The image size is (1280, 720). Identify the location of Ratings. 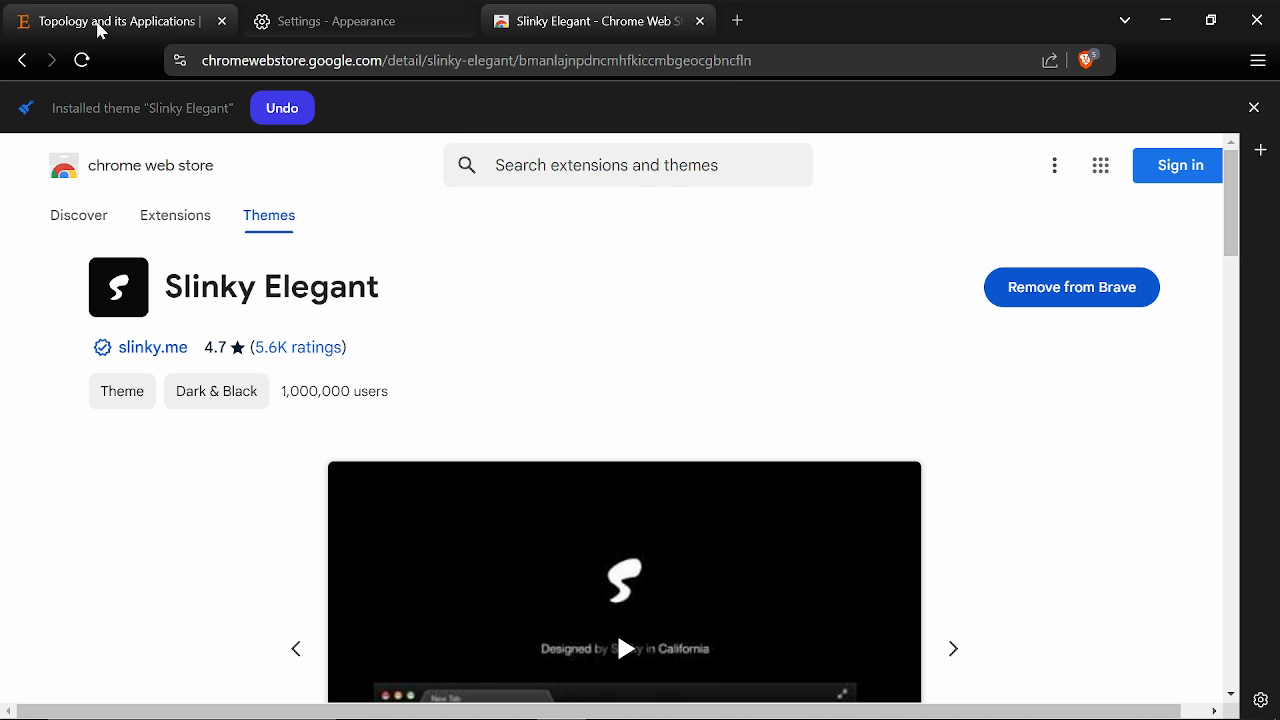
(278, 348).